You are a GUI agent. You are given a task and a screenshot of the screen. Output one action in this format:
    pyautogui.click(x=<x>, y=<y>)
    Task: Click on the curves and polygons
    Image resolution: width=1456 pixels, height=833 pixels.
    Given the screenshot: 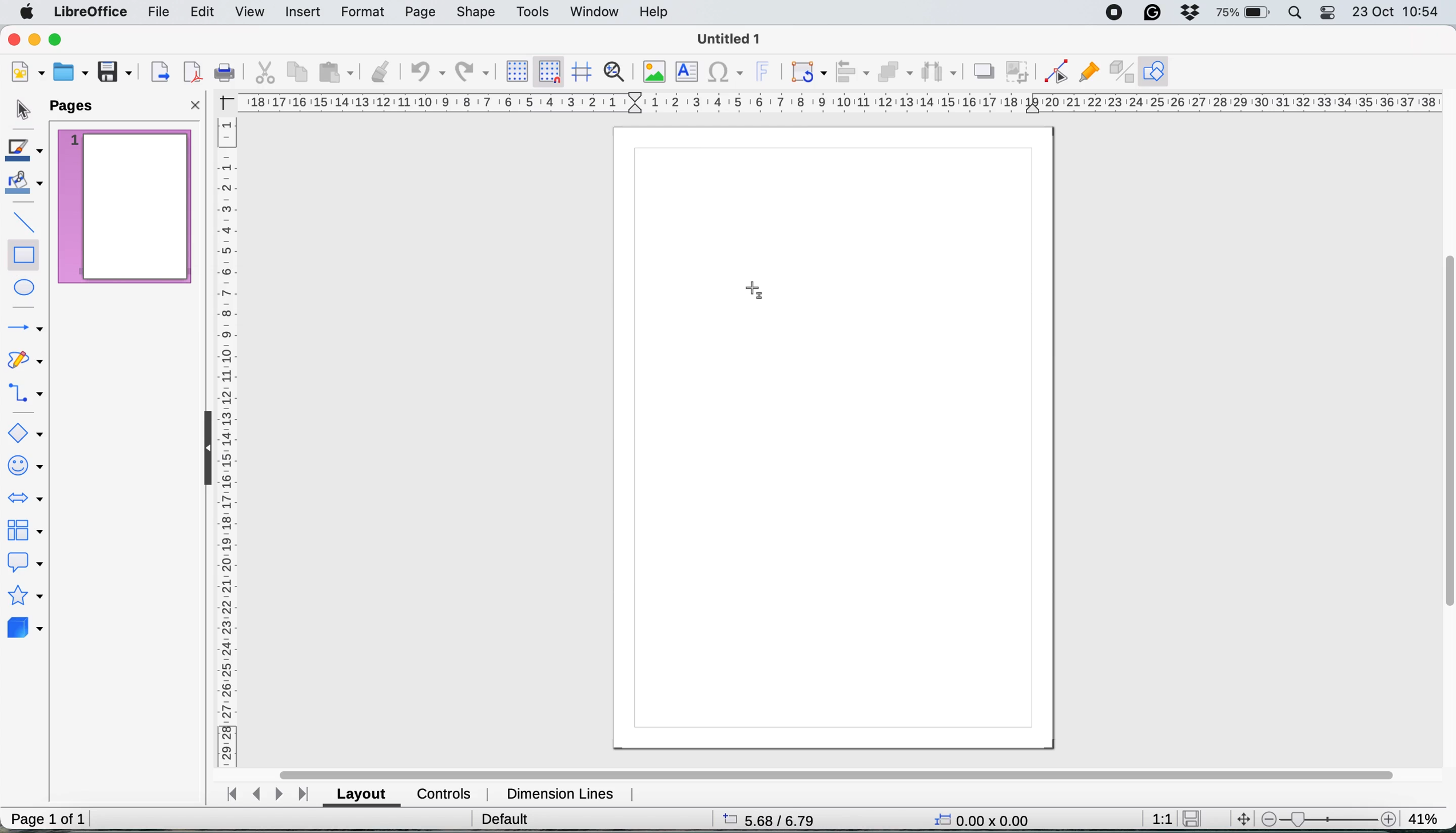 What is the action you would take?
    pyautogui.click(x=27, y=363)
    